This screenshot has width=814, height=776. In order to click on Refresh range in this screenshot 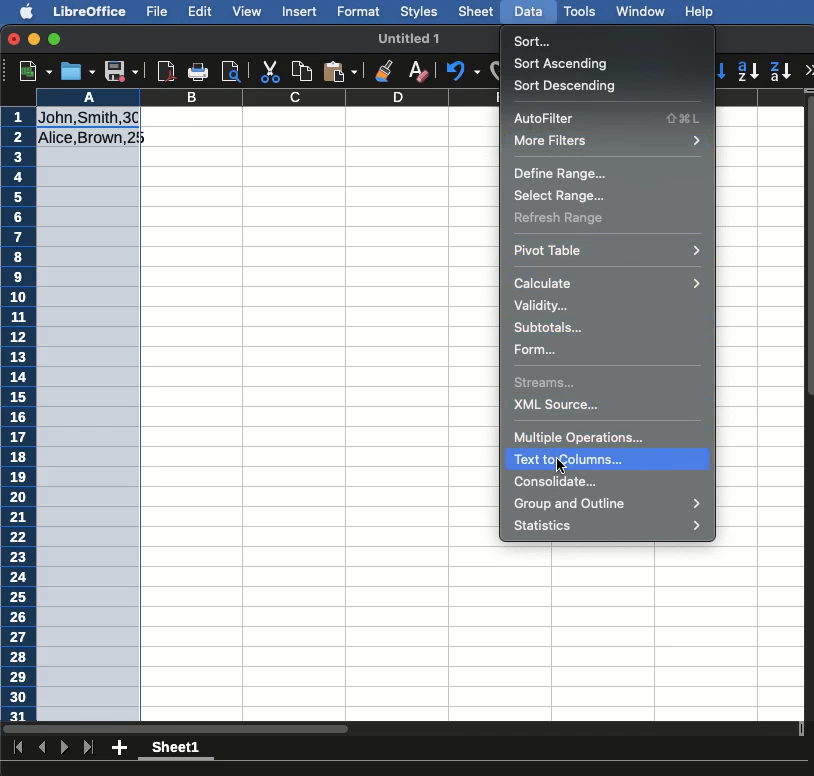, I will do `click(561, 218)`.